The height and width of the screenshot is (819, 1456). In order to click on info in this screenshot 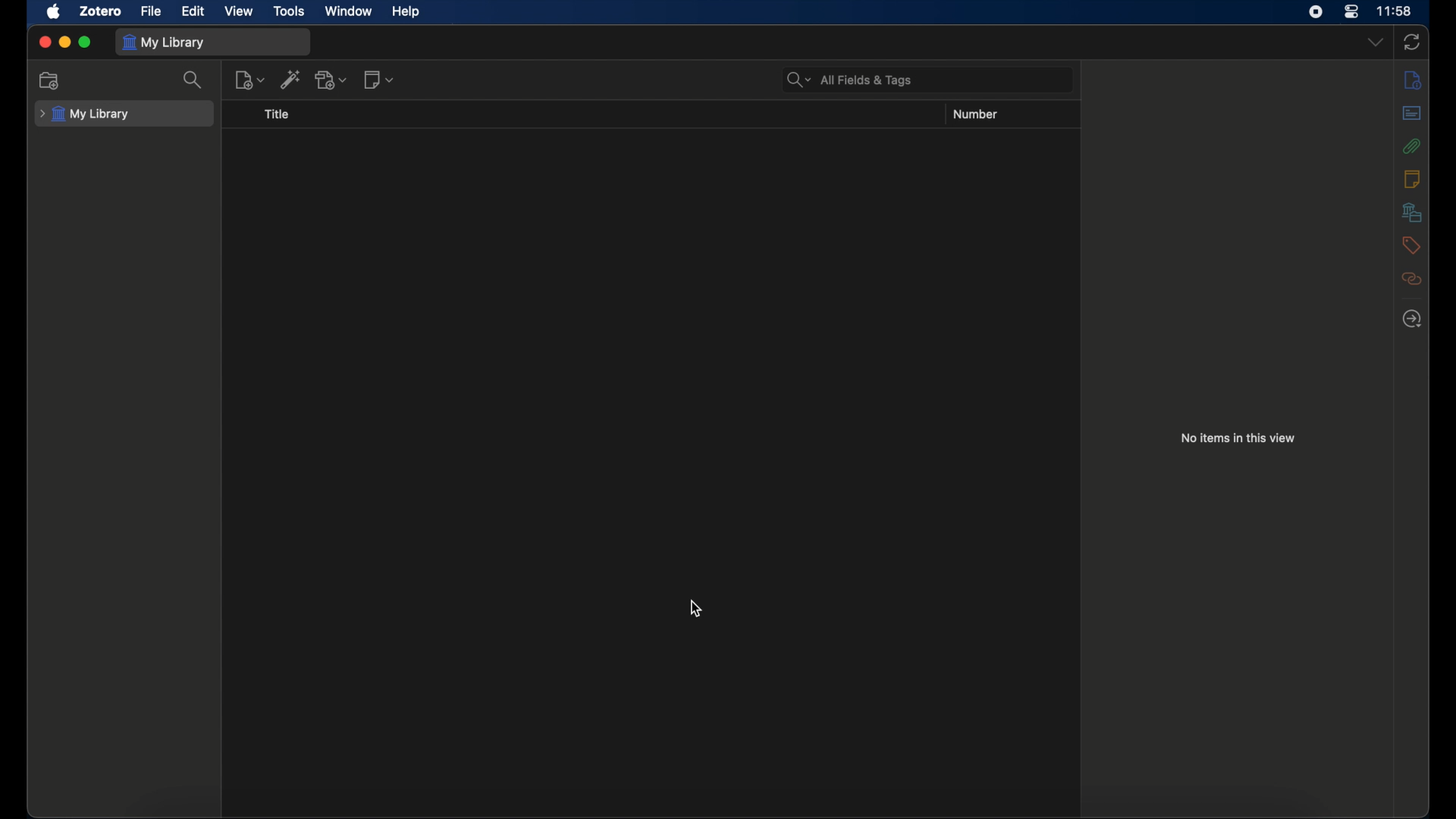, I will do `click(1412, 80)`.